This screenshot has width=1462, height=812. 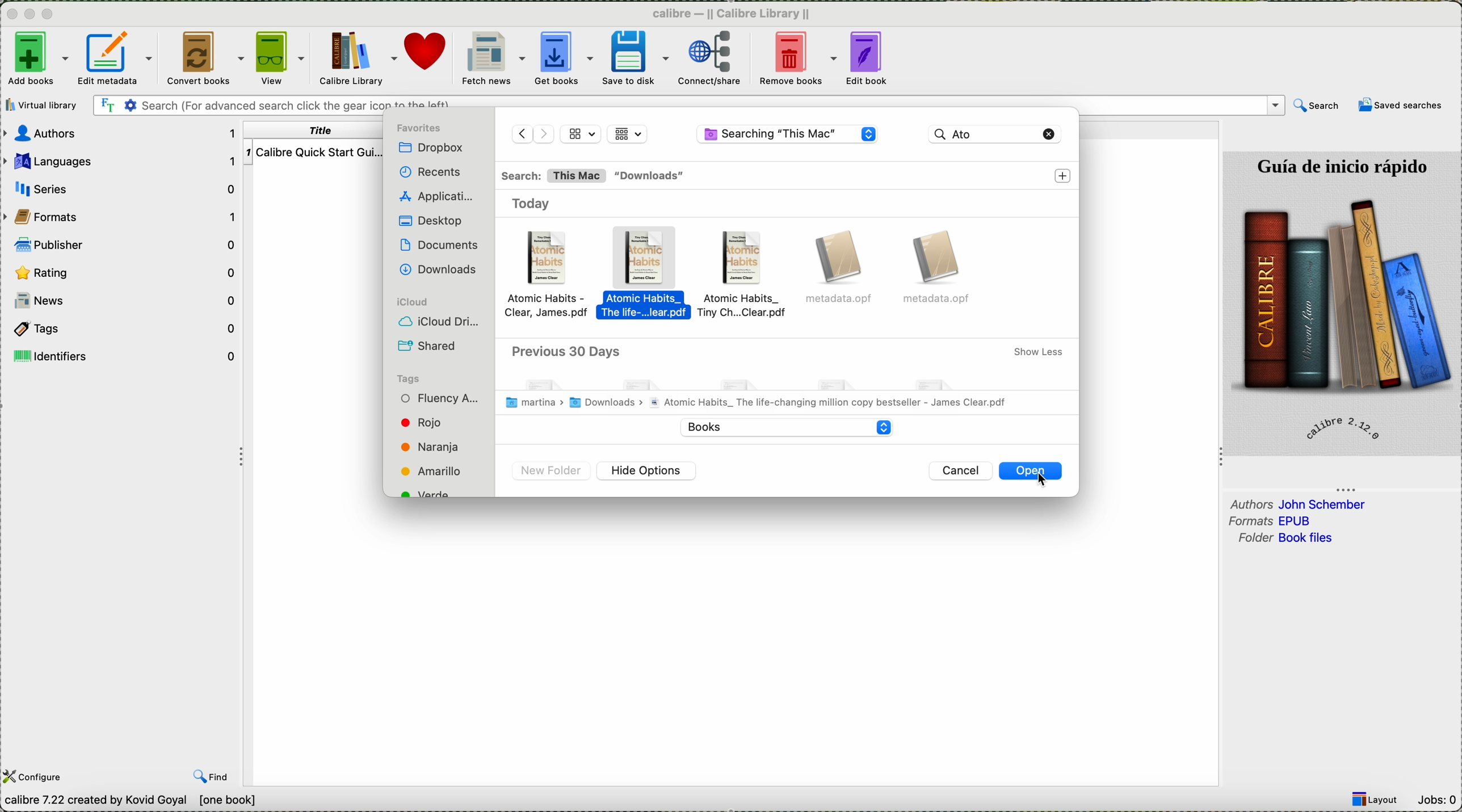 What do you see at coordinates (652, 176) in the screenshot?
I see `downloads` at bounding box center [652, 176].